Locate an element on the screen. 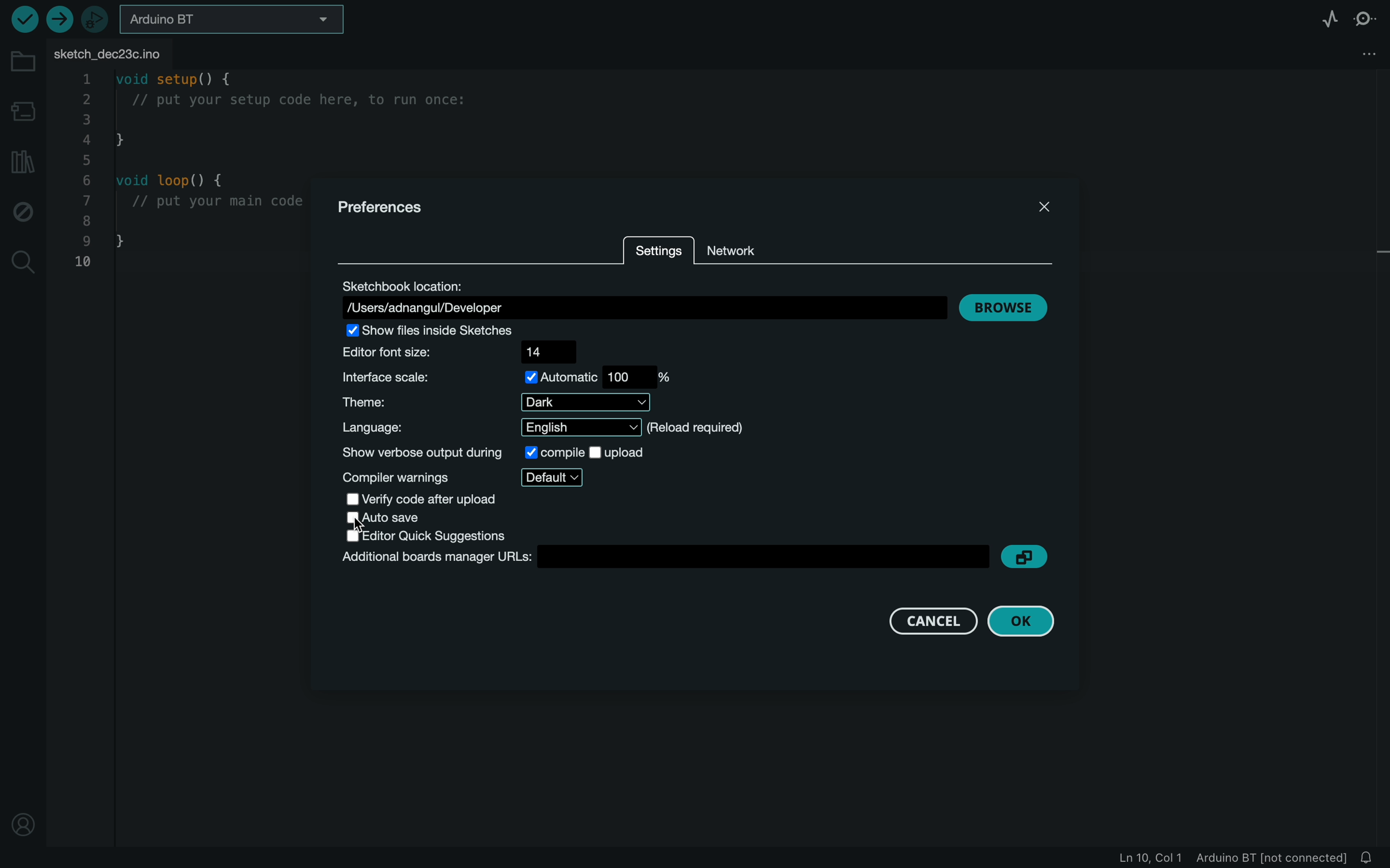 The height and width of the screenshot is (868, 1390). board manger is located at coordinates (662, 559).